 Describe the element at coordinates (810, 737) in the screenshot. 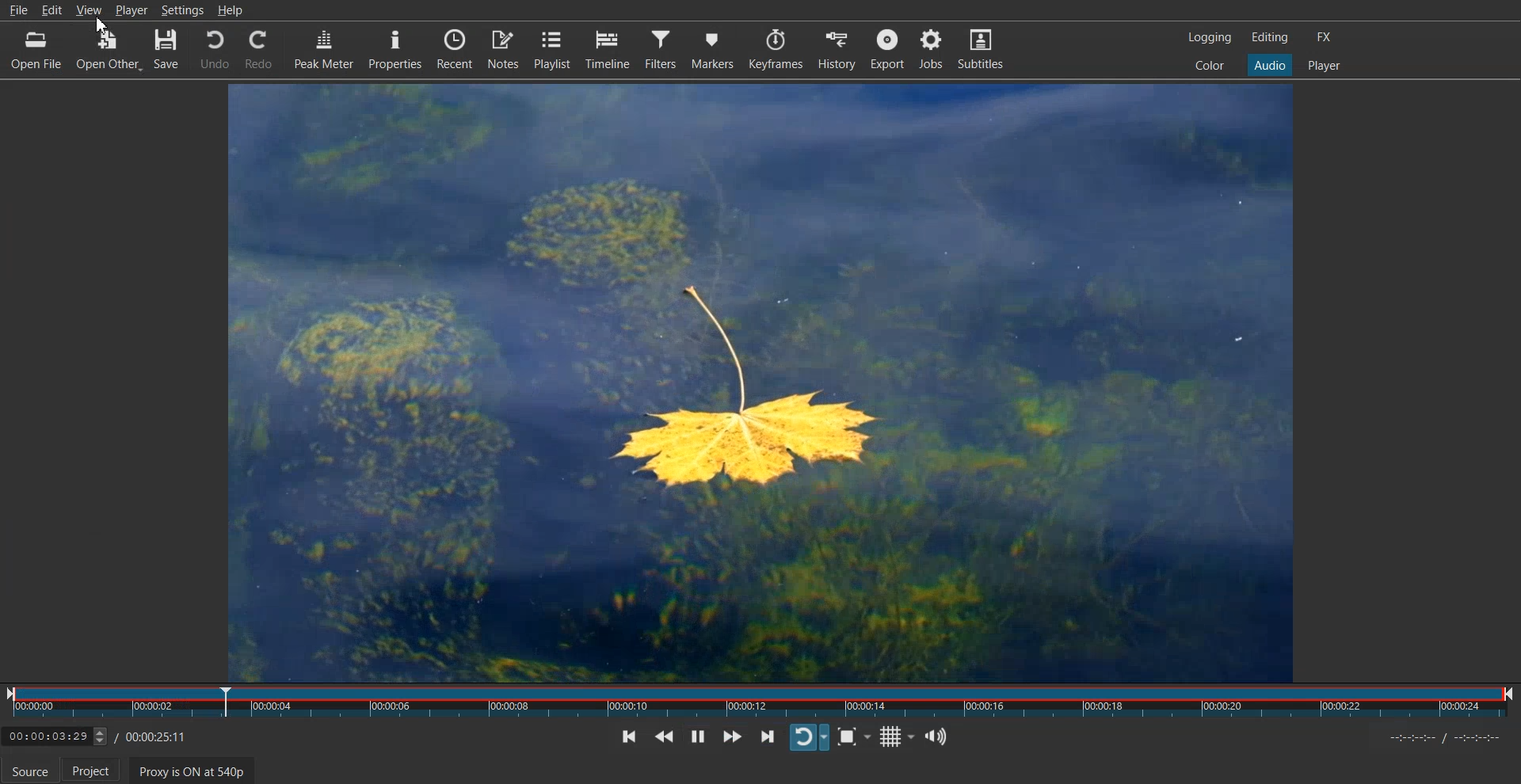

I see `Toggle player looping` at that location.